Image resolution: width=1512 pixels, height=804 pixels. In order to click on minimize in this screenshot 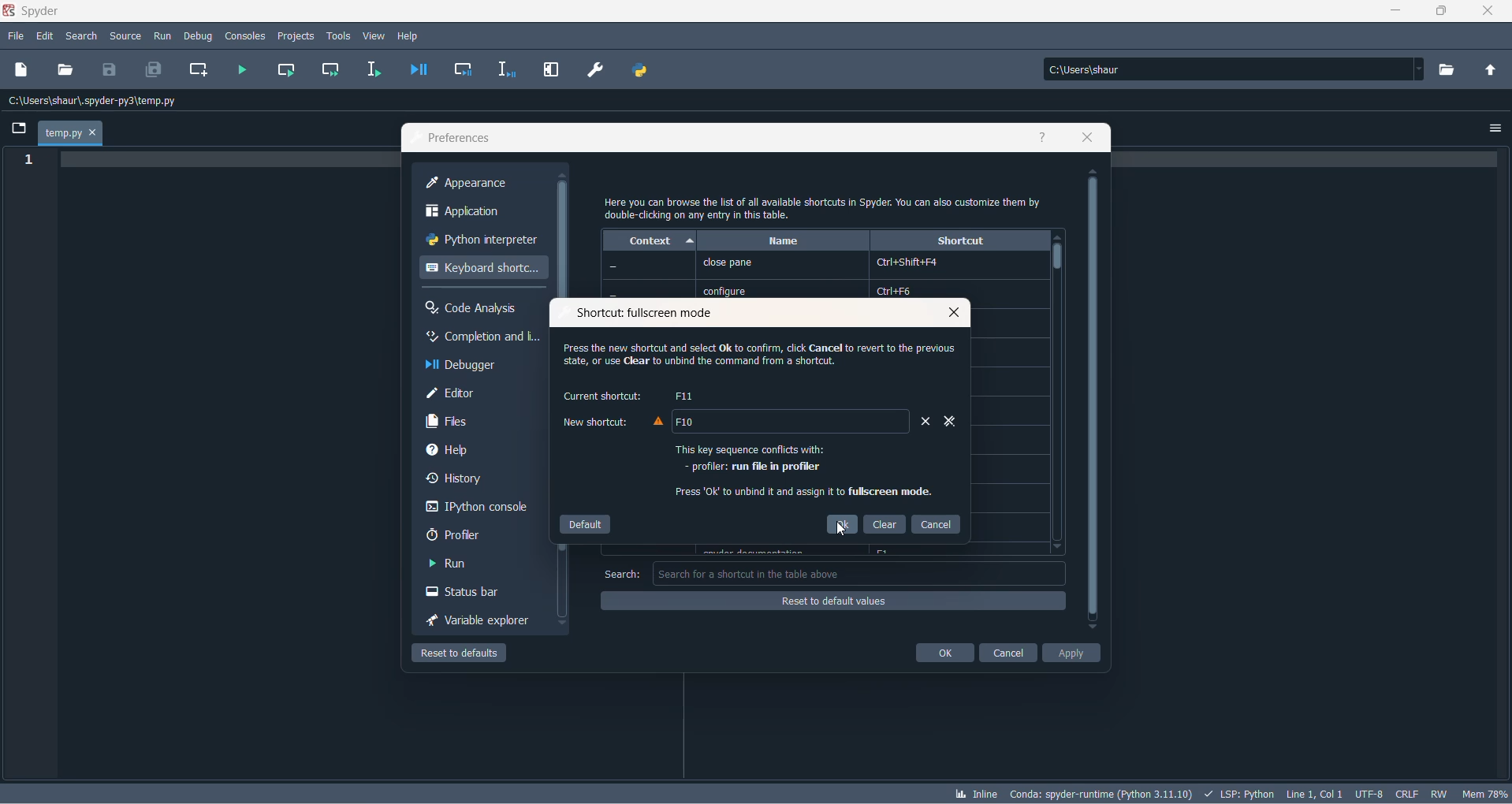, I will do `click(1399, 13)`.